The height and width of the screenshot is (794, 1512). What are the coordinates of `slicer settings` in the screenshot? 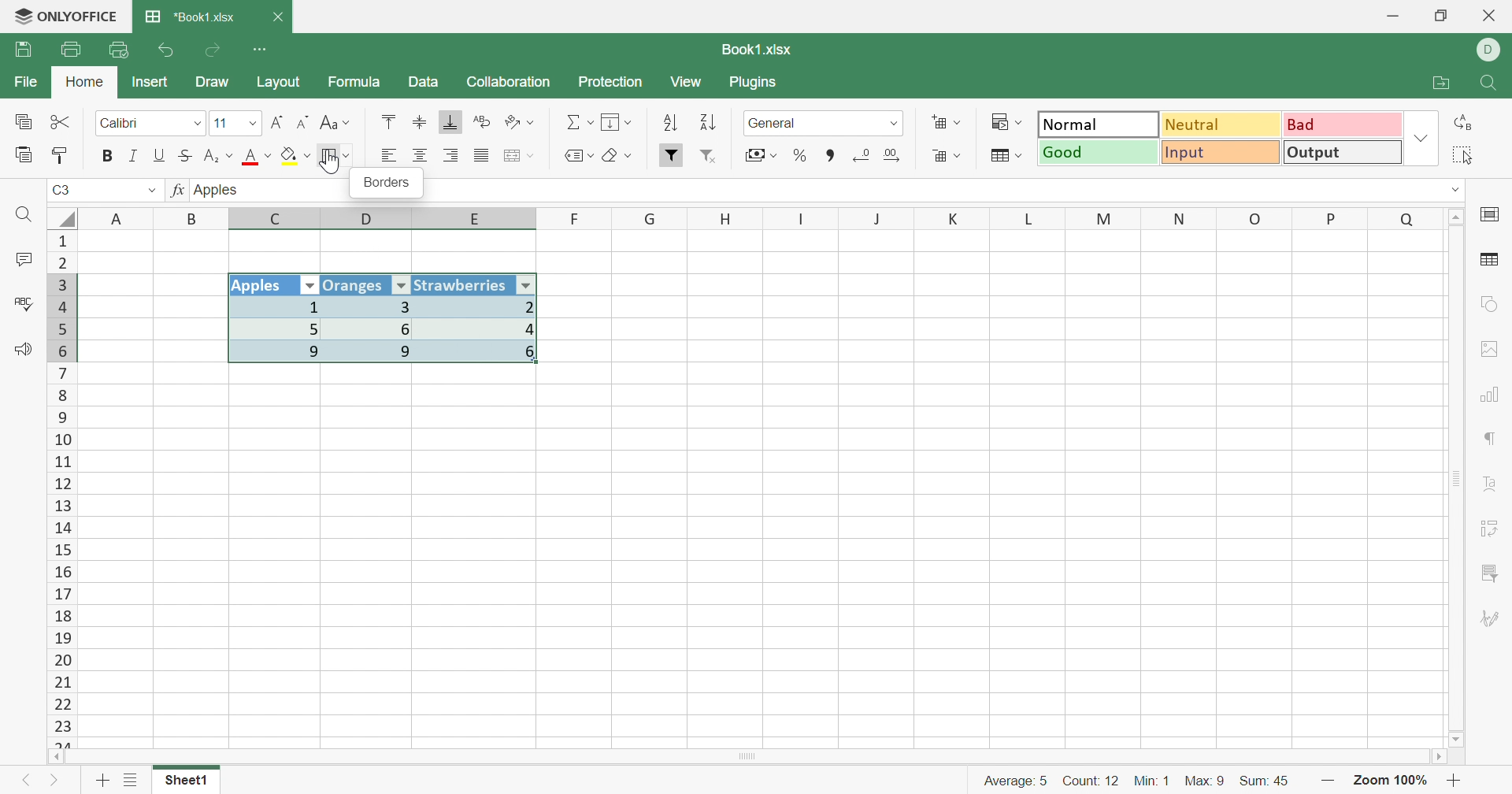 It's located at (1490, 570).